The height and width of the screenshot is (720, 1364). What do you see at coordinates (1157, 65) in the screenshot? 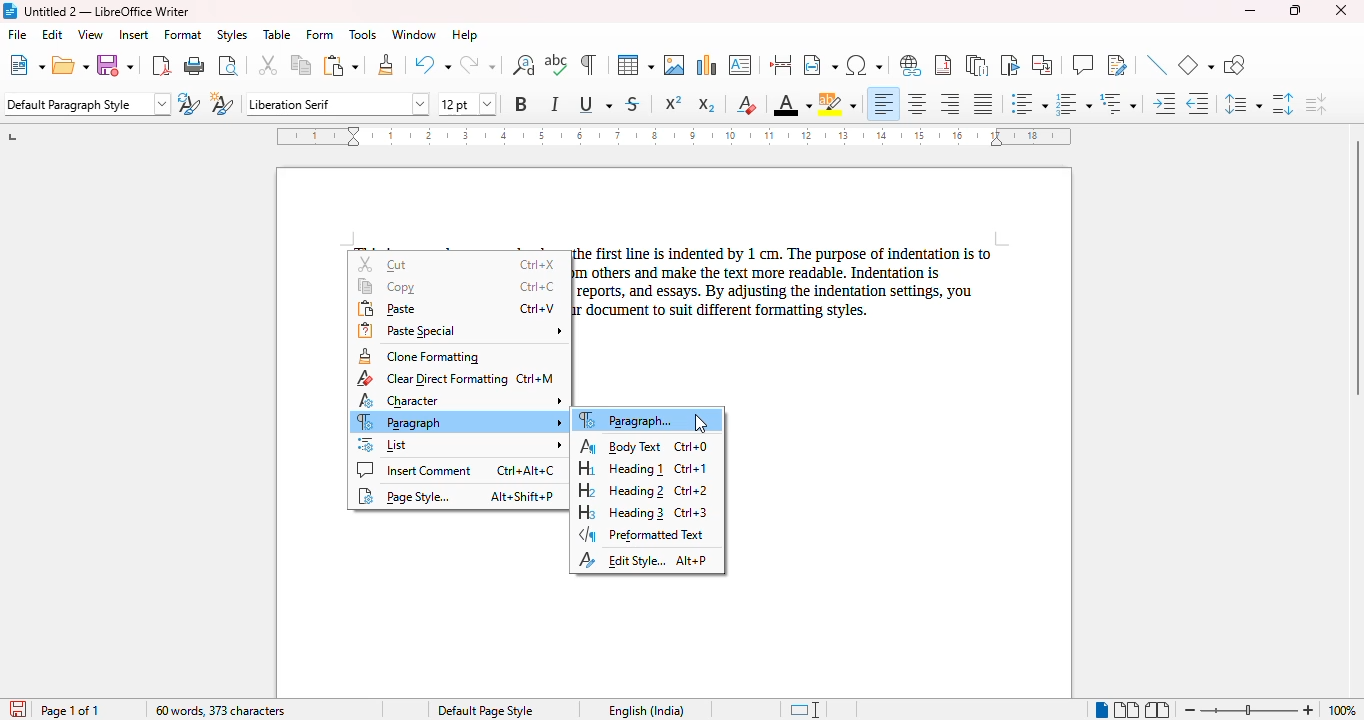
I see `insert line` at bounding box center [1157, 65].